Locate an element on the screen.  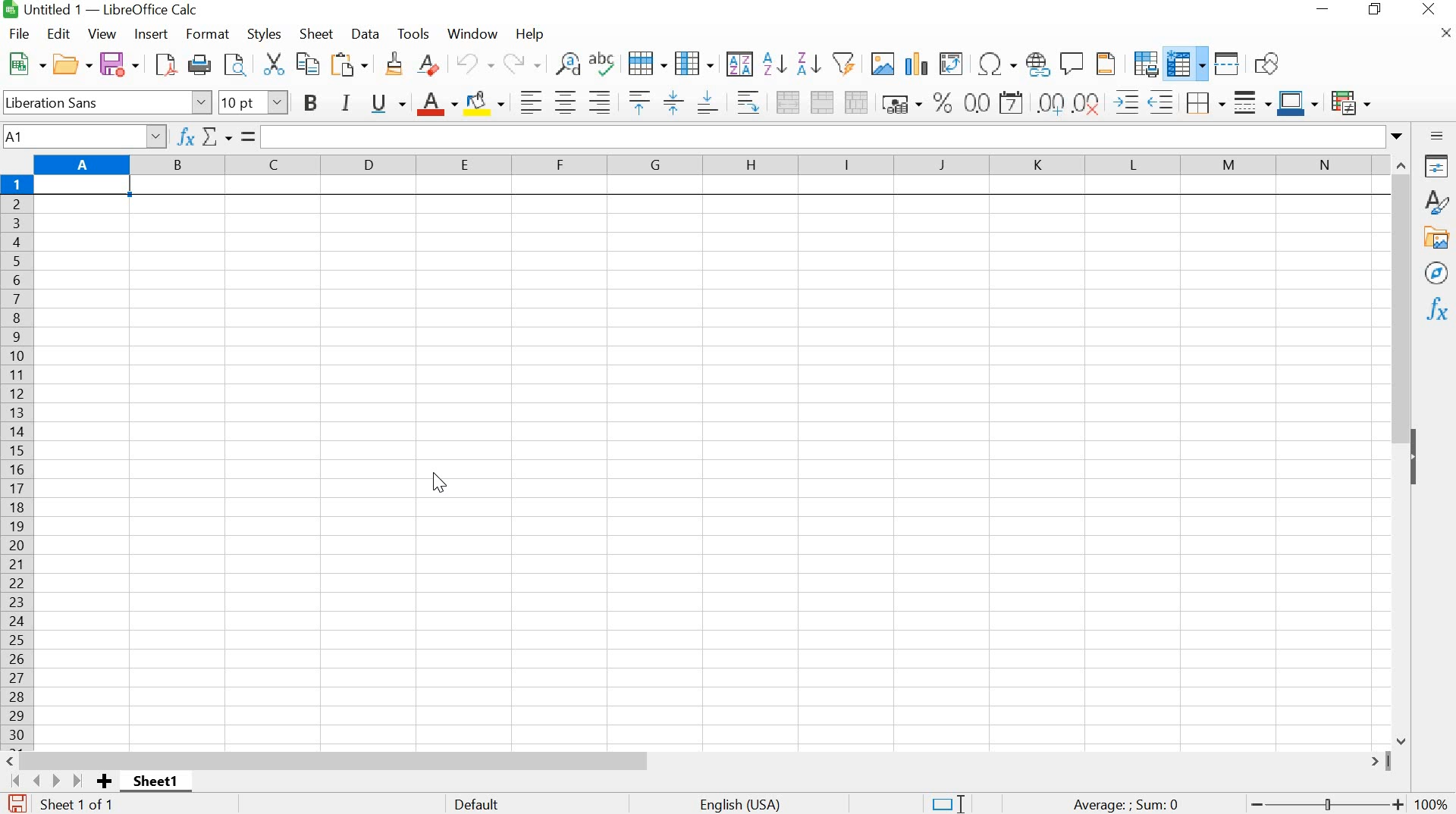
ZOOM FACTOR is located at coordinates (1433, 794).